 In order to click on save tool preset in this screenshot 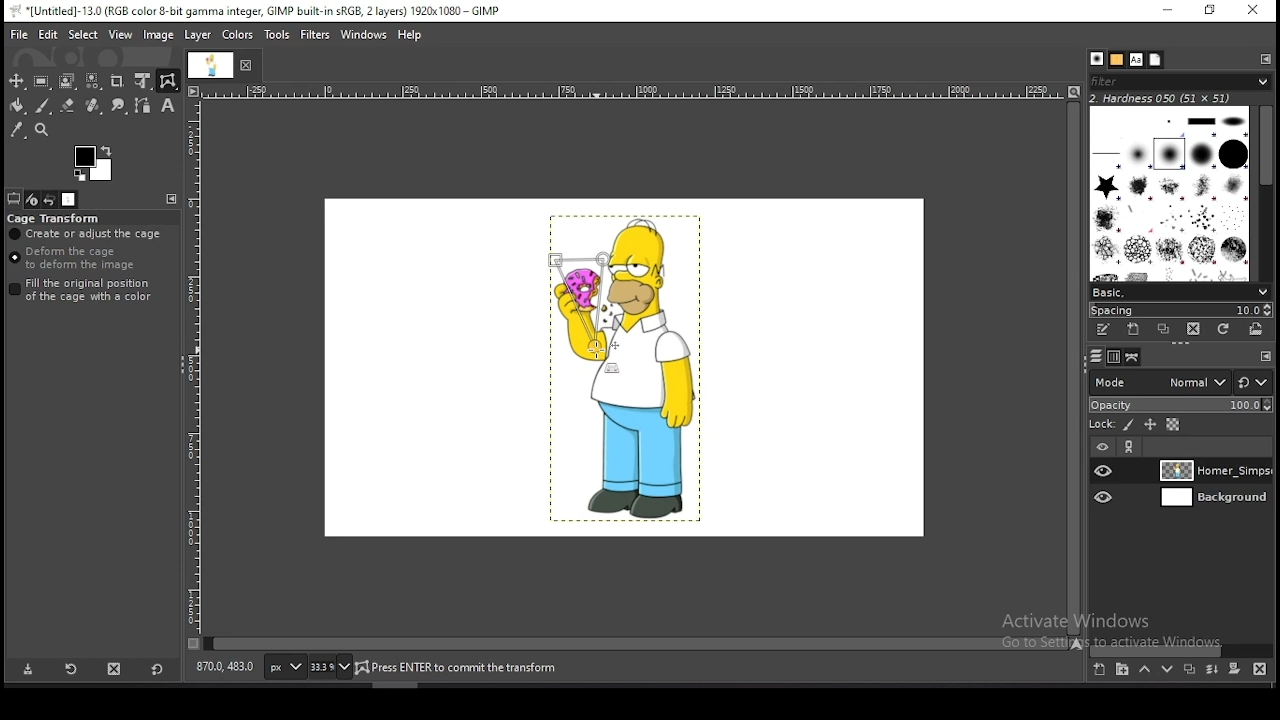, I will do `click(28, 670)`.